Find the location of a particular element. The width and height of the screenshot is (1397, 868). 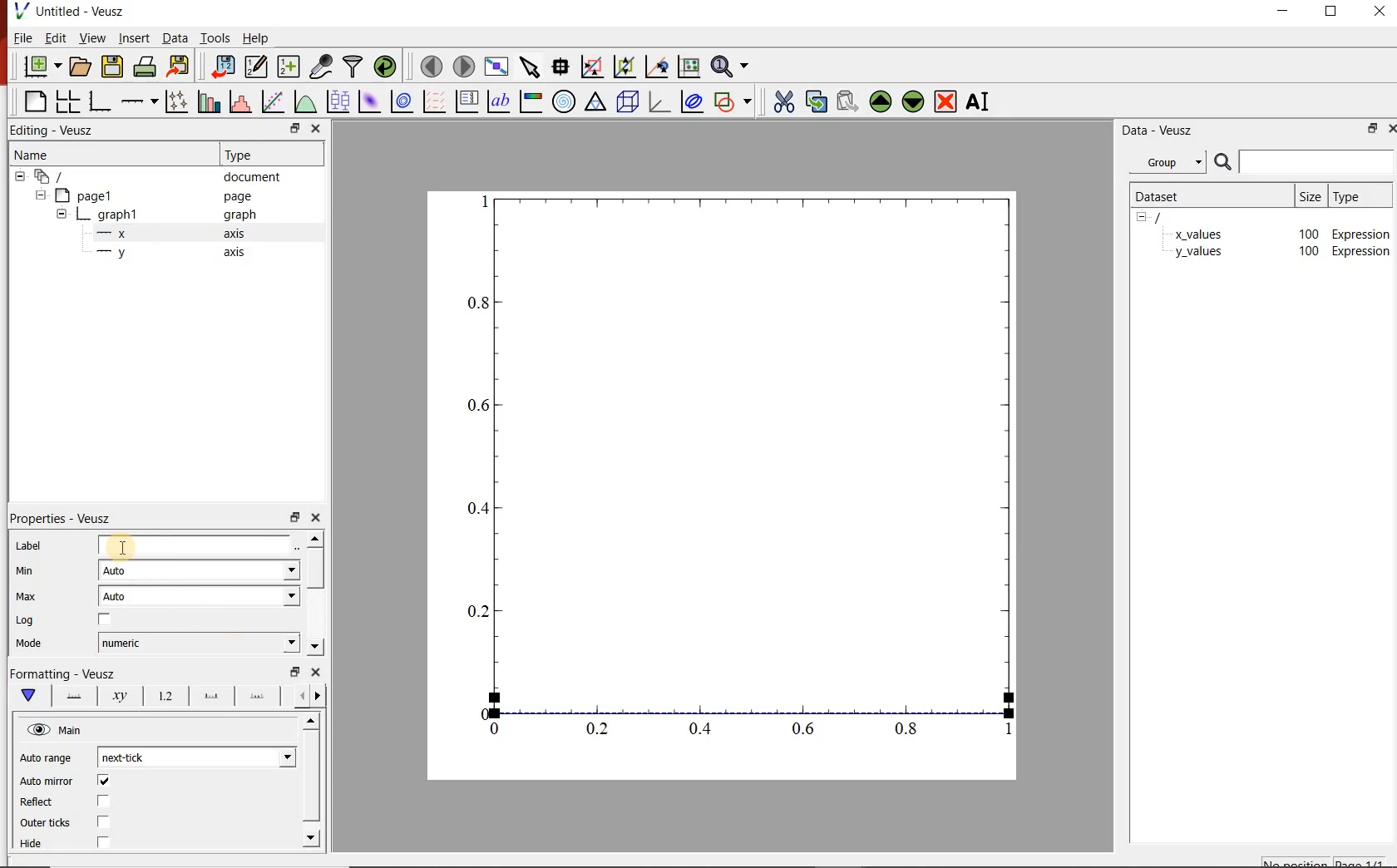

main formatting is located at coordinates (29, 696).